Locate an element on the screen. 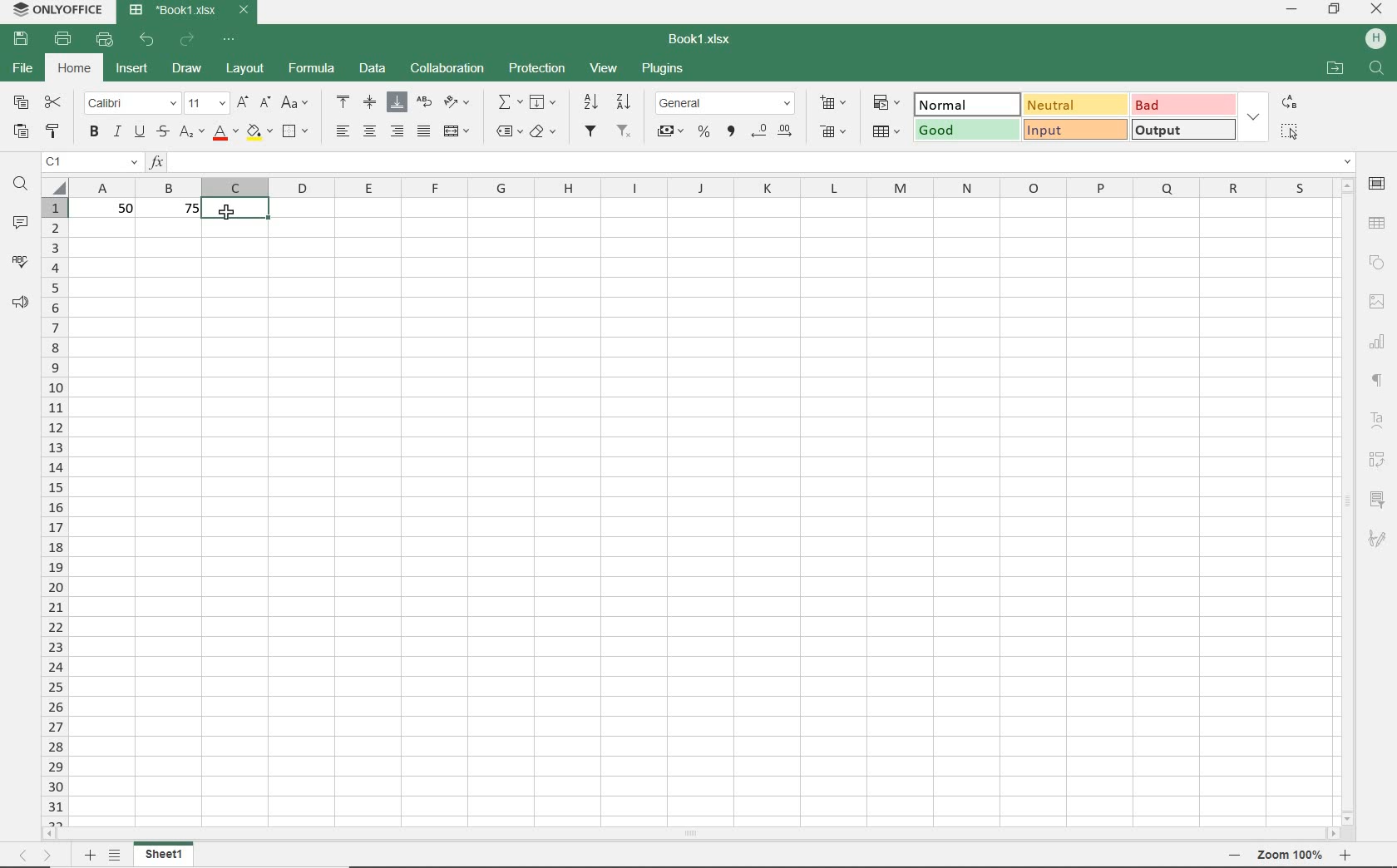 This screenshot has width=1397, height=868. chart is located at coordinates (1380, 339).